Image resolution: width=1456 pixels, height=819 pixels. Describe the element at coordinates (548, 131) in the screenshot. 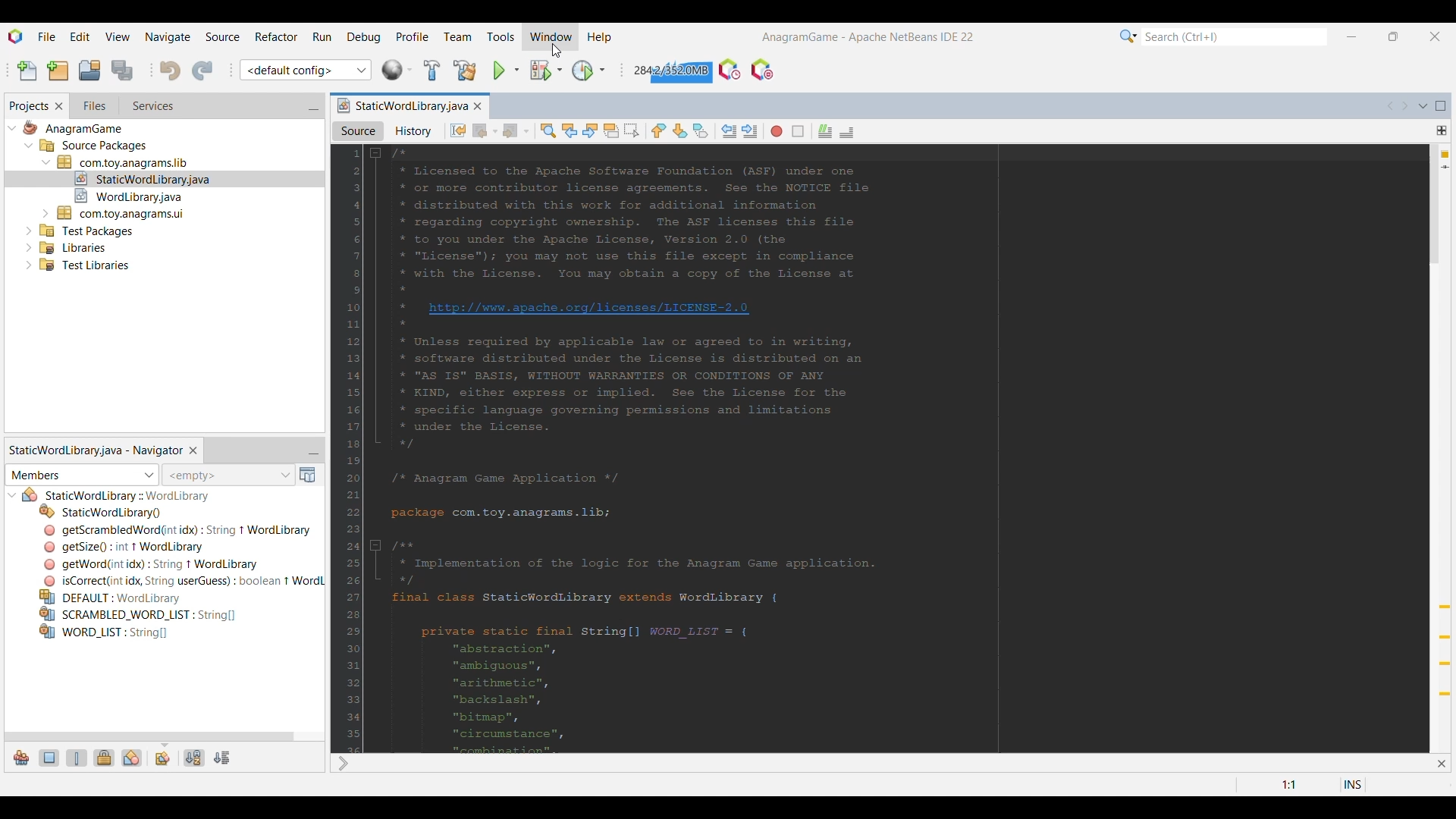

I see `Find selection` at that location.